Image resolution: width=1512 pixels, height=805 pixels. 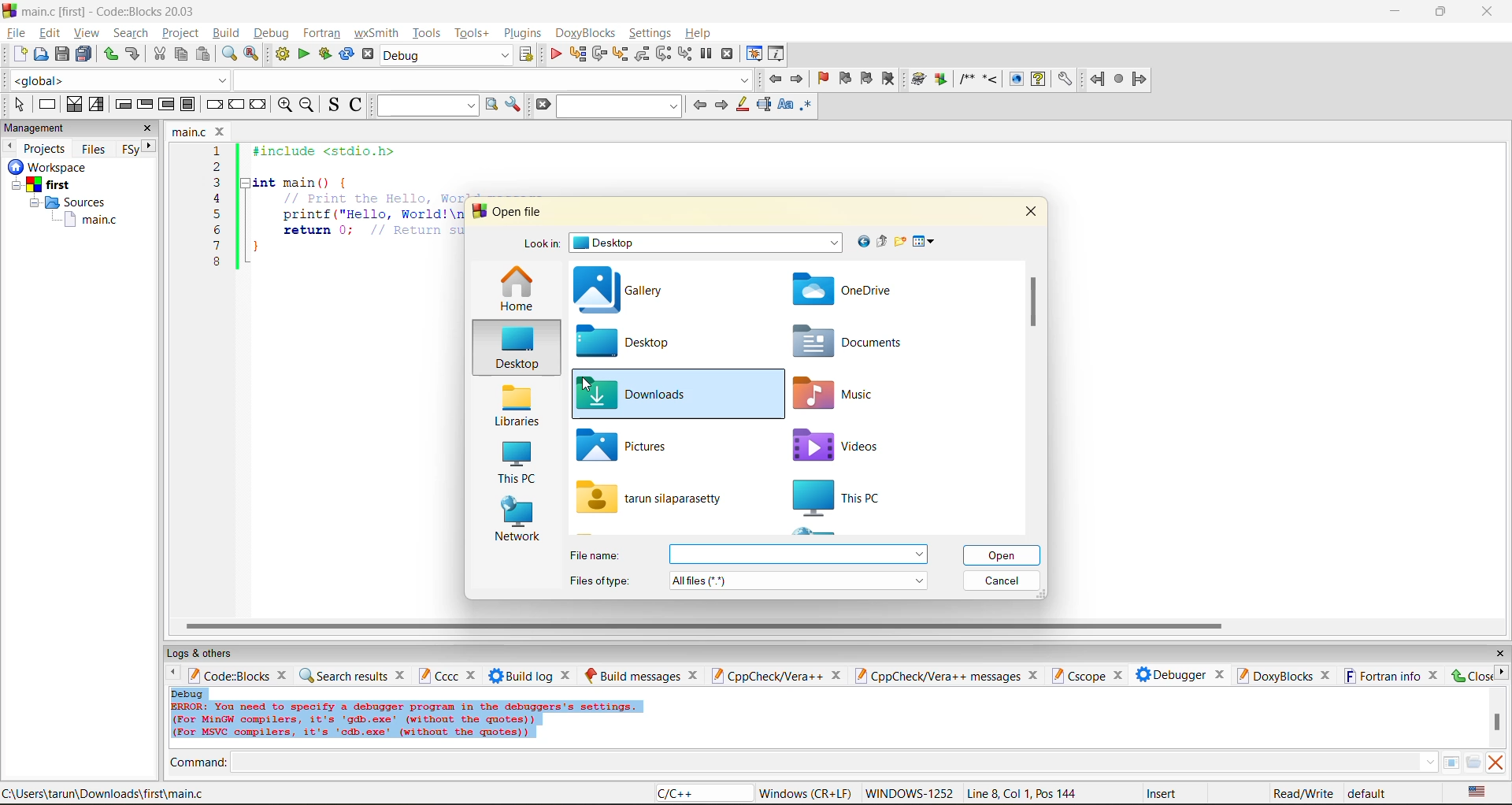 What do you see at coordinates (191, 132) in the screenshot?
I see `file name` at bounding box center [191, 132].